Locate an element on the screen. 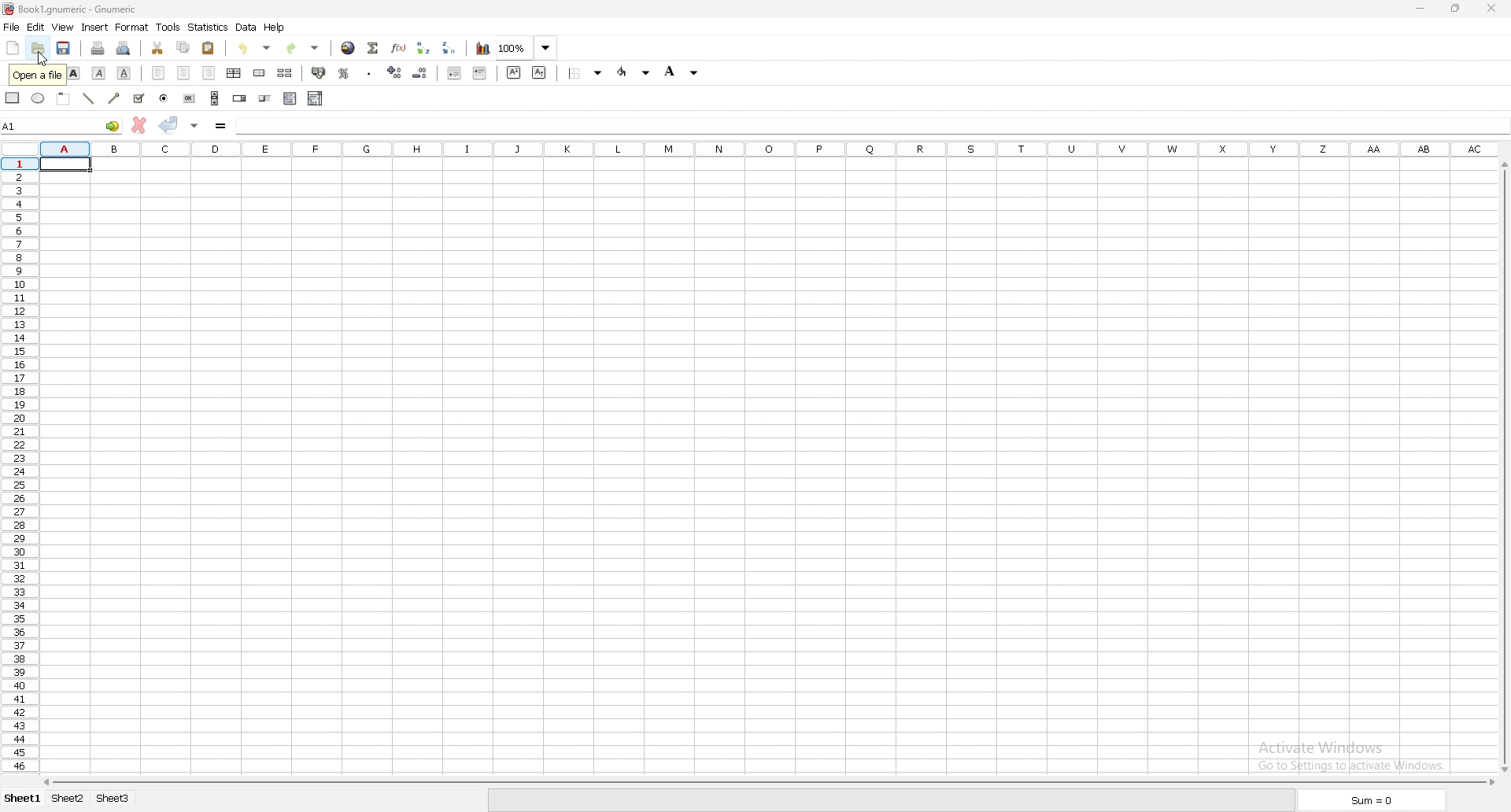 The width and height of the screenshot is (1511, 812). button is located at coordinates (190, 99).